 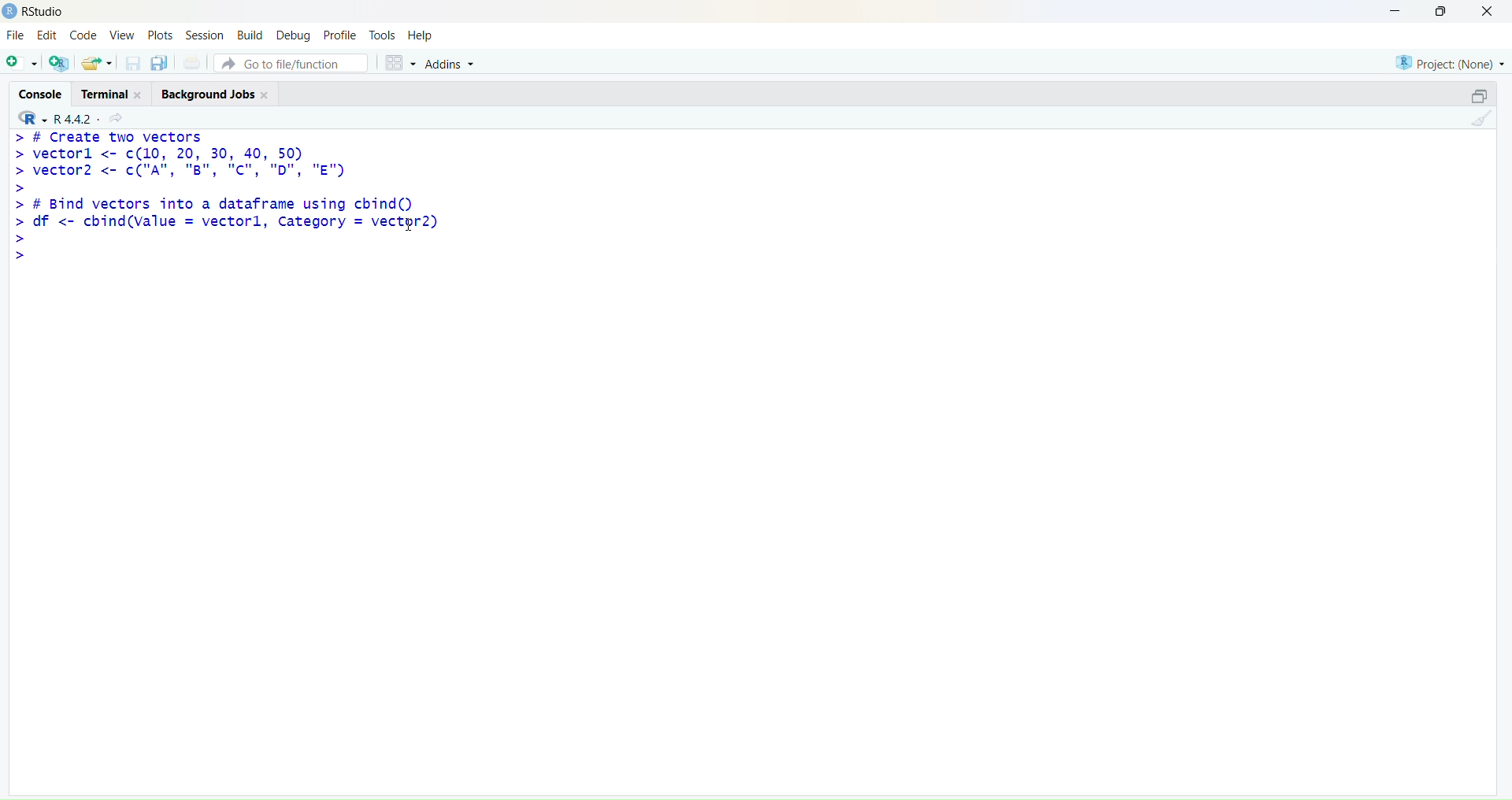 I want to click on View current directory, so click(x=118, y=119).